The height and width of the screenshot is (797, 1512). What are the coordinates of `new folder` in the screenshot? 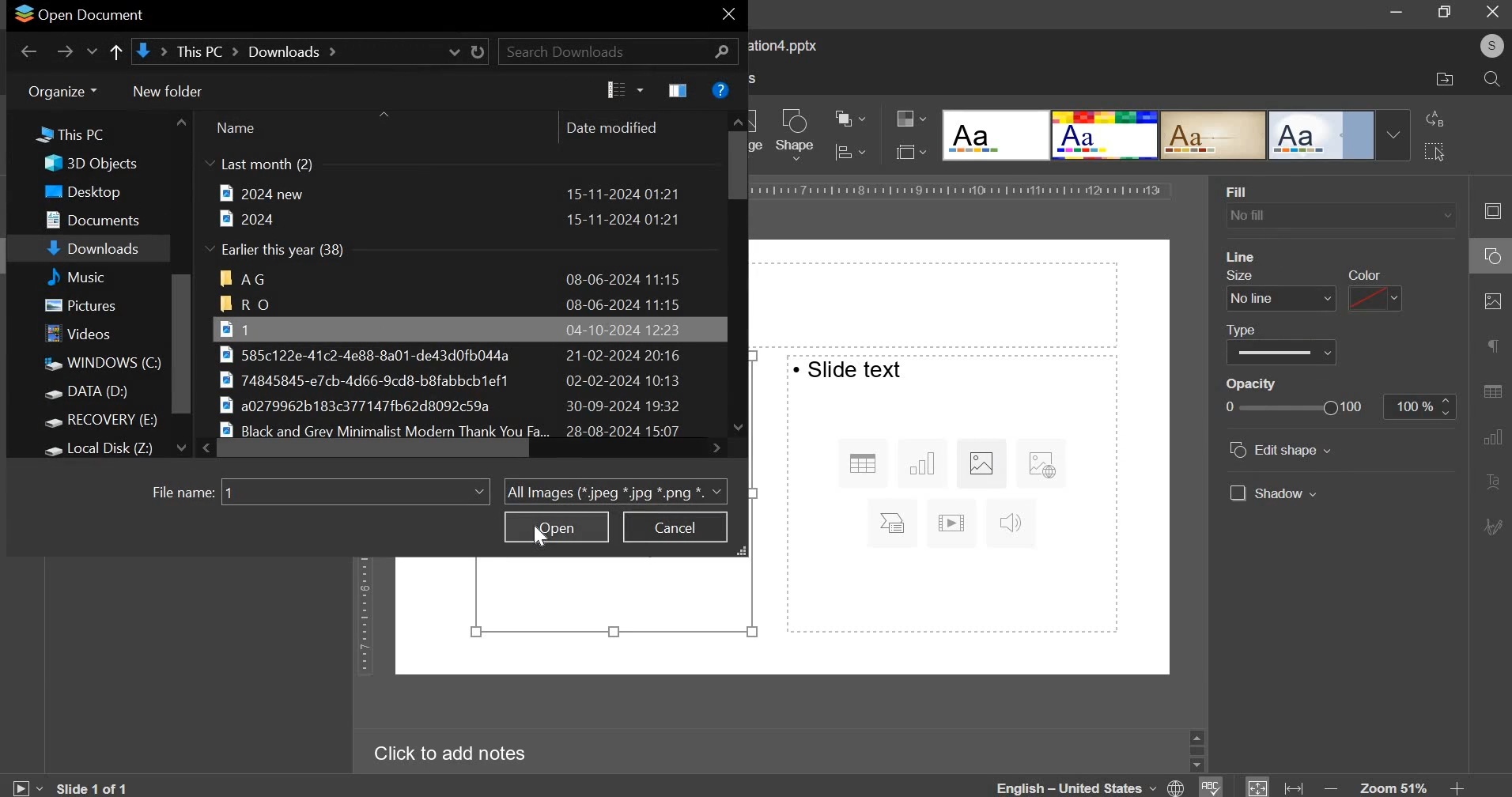 It's located at (169, 91).